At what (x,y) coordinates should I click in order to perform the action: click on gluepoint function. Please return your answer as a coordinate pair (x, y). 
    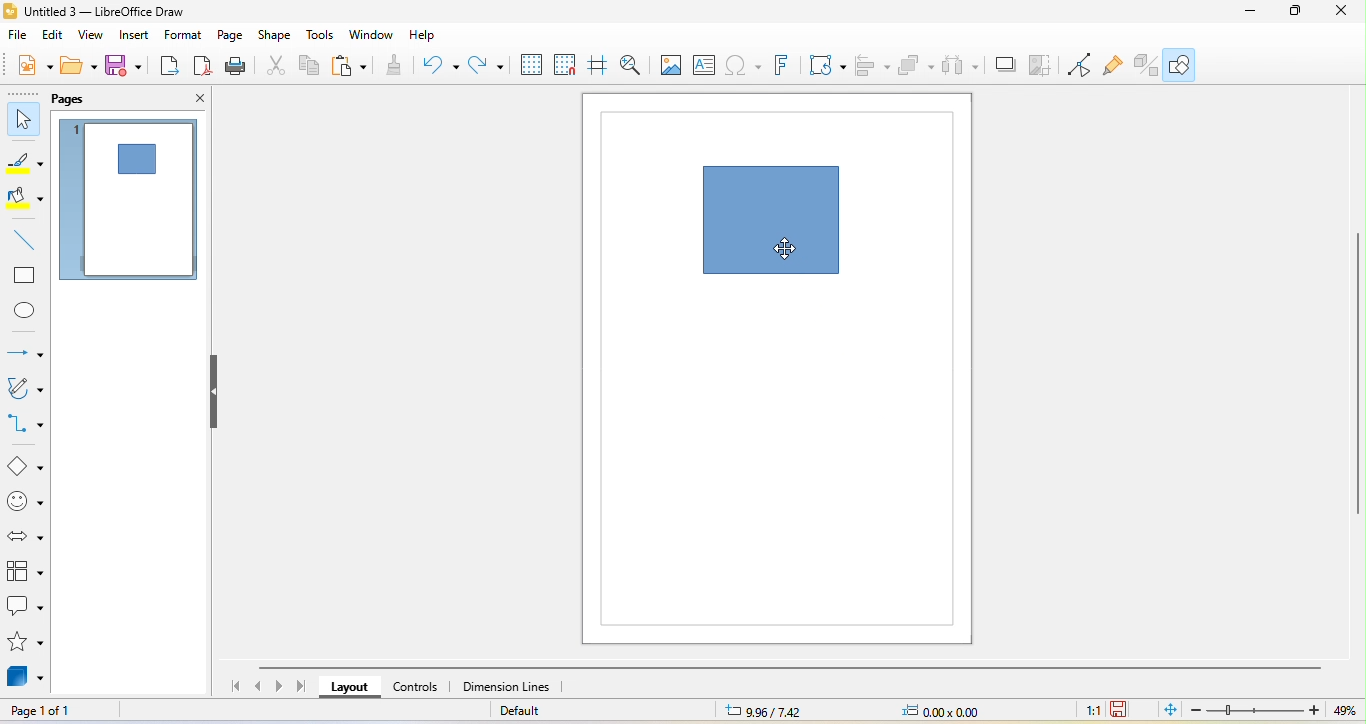
    Looking at the image, I should click on (1115, 65).